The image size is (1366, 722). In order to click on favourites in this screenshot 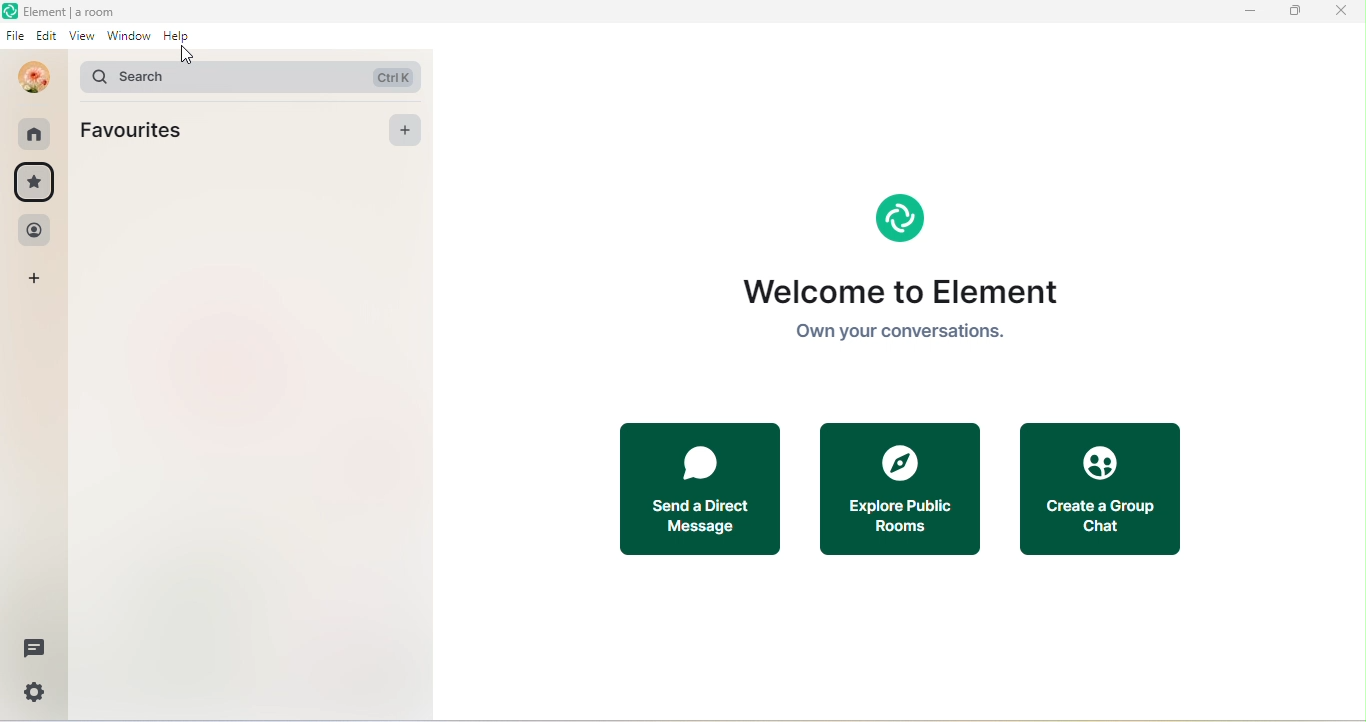, I will do `click(35, 185)`.